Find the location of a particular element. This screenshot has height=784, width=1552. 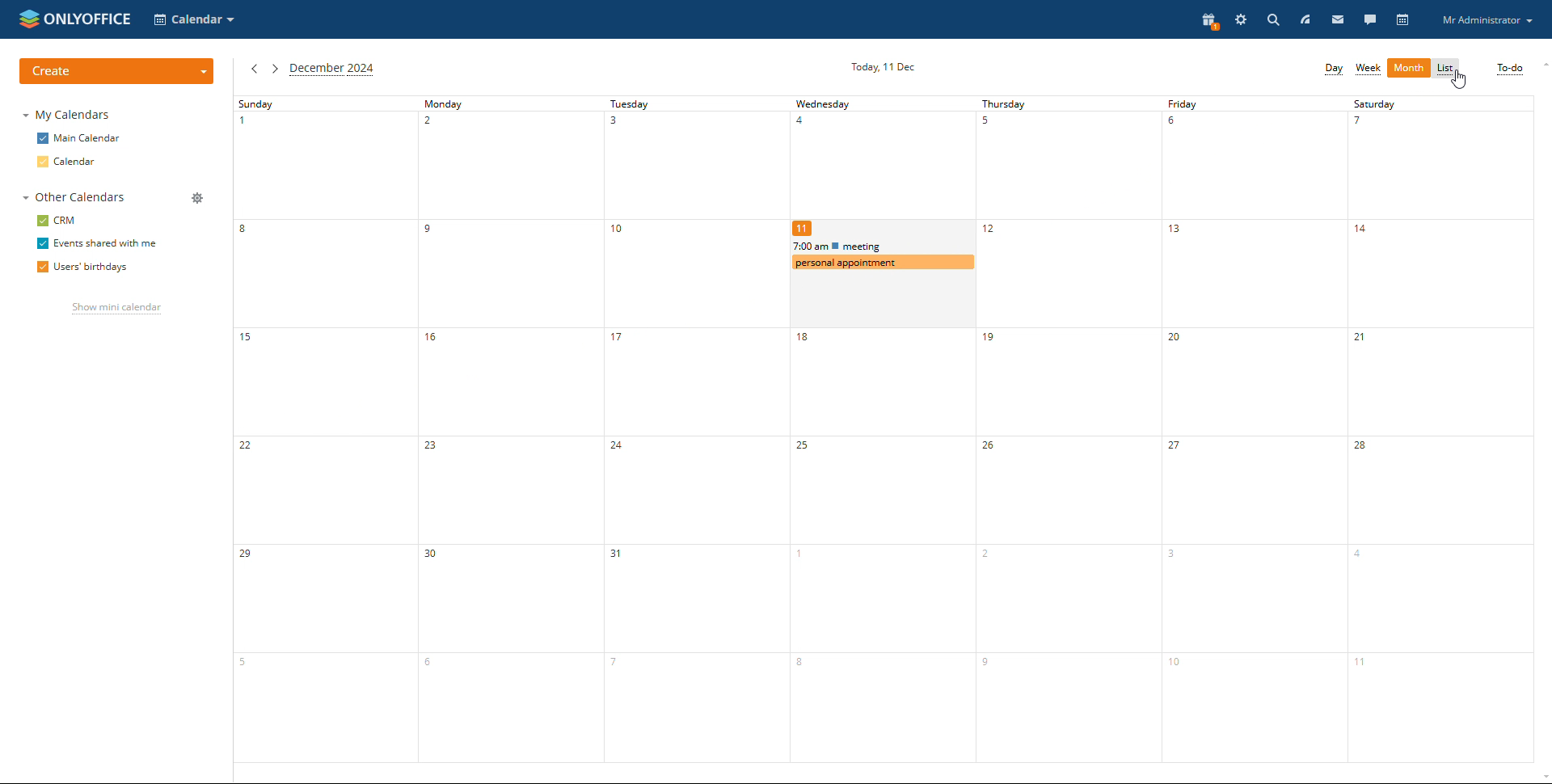

calendar is located at coordinates (1403, 19).